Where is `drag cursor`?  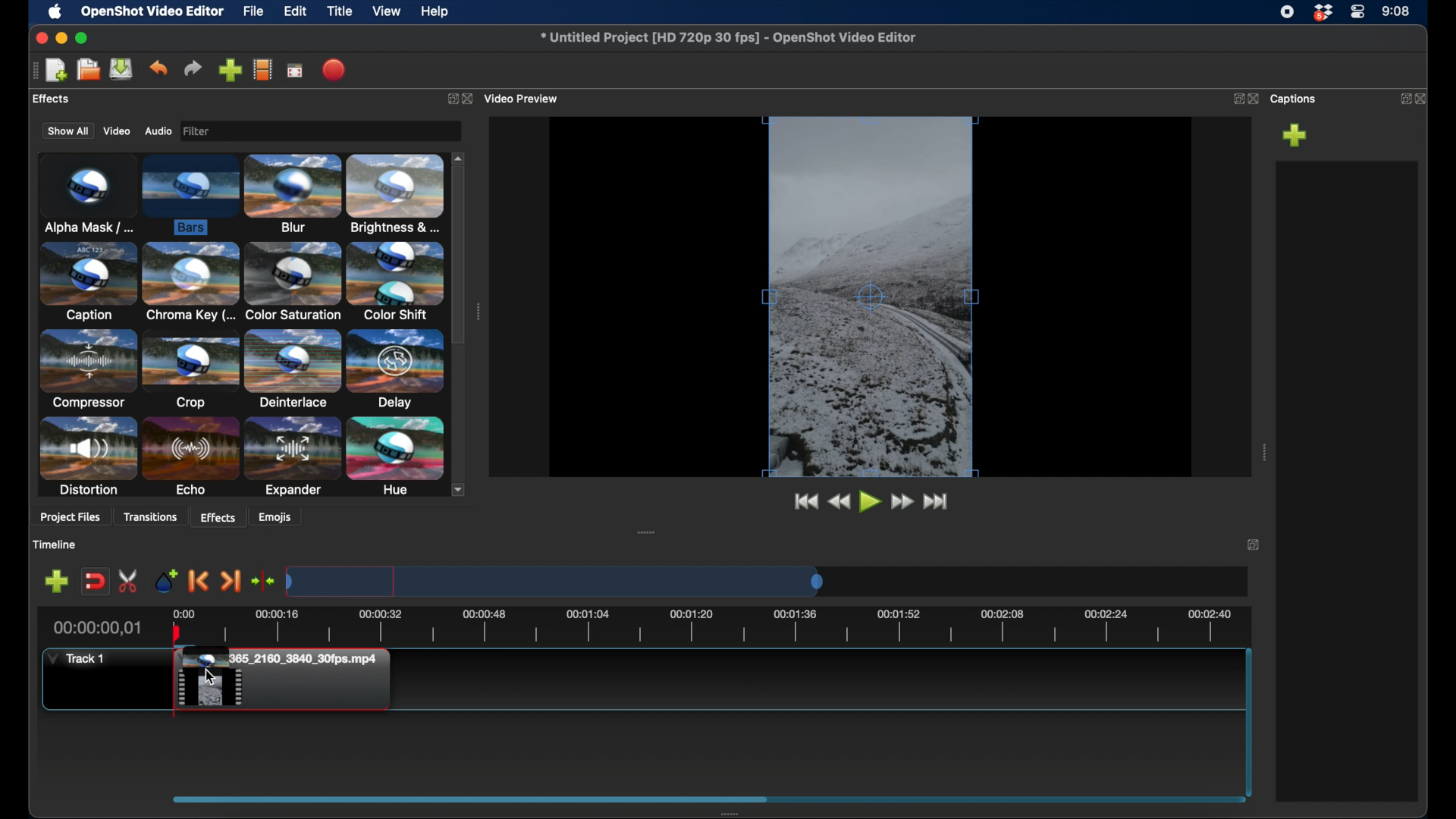
drag cursor is located at coordinates (212, 676).